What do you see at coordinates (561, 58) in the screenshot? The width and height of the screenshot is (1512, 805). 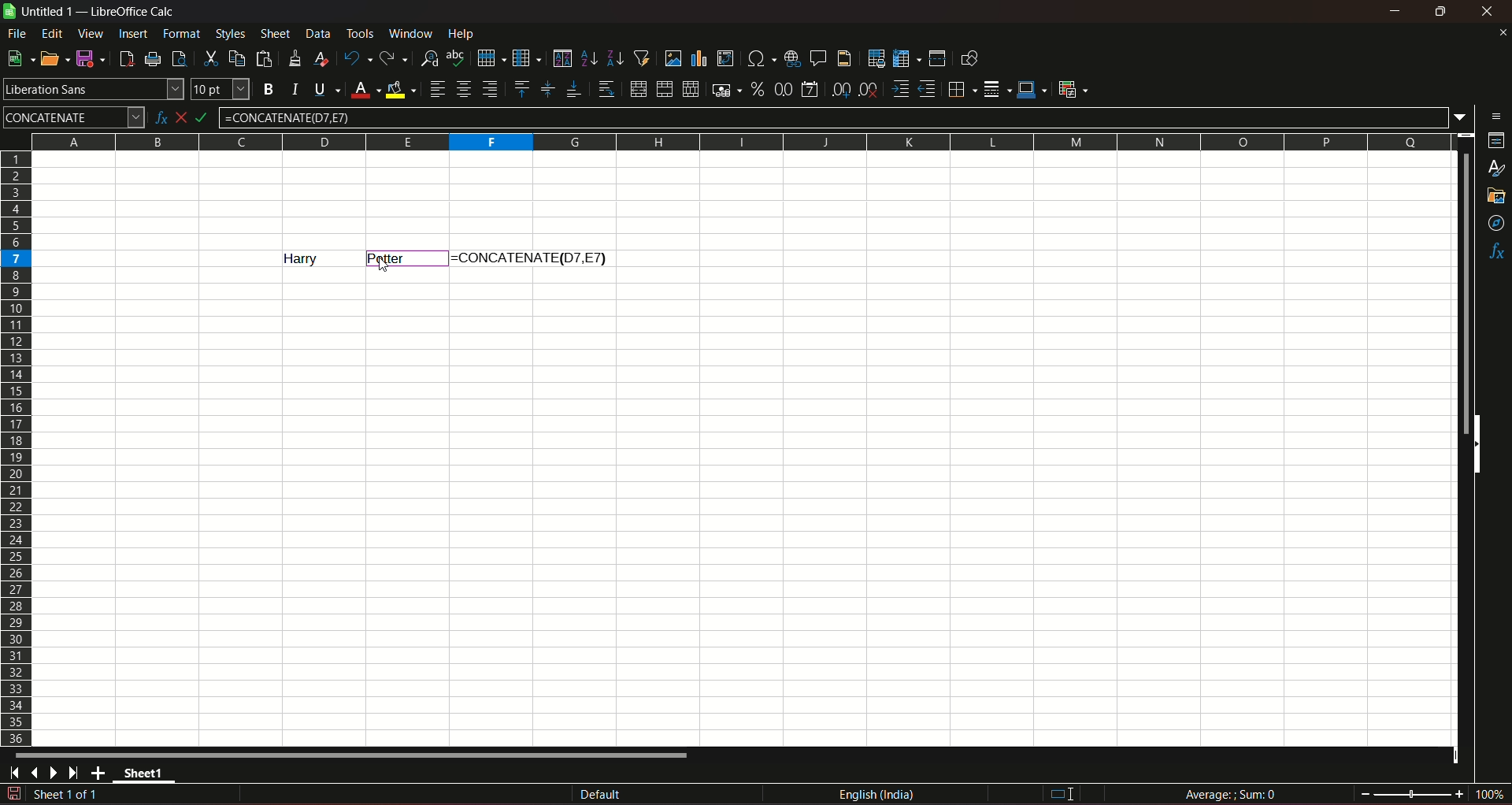 I see `sort` at bounding box center [561, 58].